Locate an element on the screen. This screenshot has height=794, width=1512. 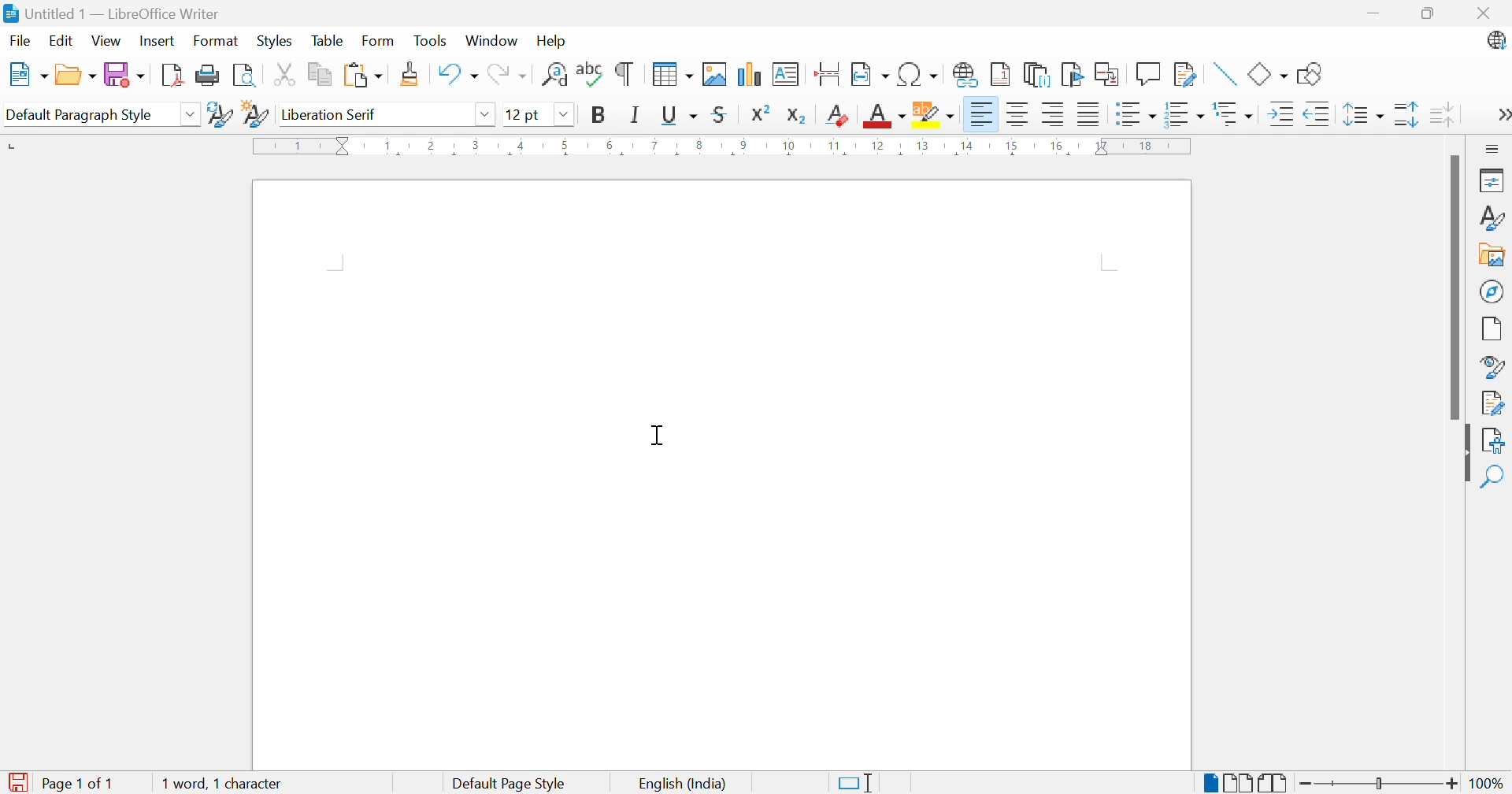
Find and replace is located at coordinates (555, 76).